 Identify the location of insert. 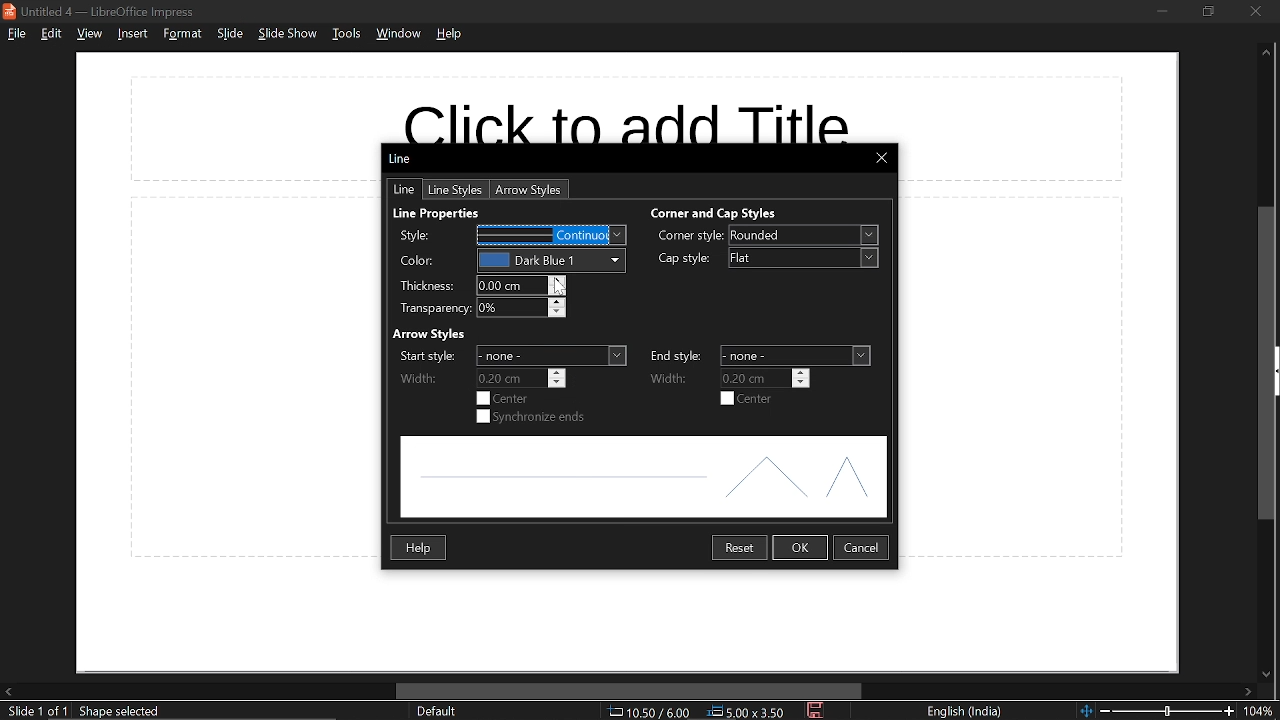
(131, 34).